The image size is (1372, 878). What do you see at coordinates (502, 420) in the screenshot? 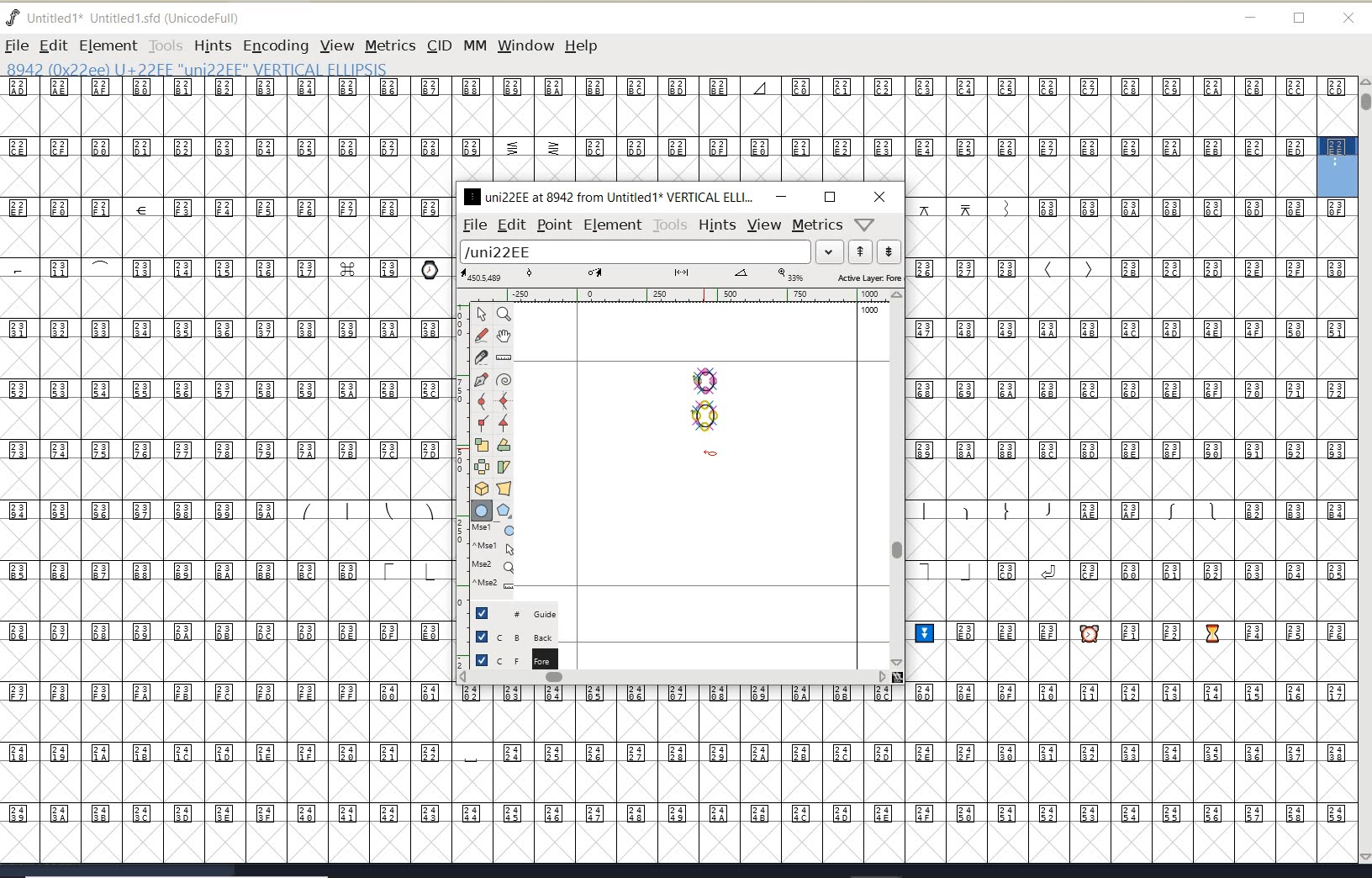
I see `add a tangent point` at bounding box center [502, 420].